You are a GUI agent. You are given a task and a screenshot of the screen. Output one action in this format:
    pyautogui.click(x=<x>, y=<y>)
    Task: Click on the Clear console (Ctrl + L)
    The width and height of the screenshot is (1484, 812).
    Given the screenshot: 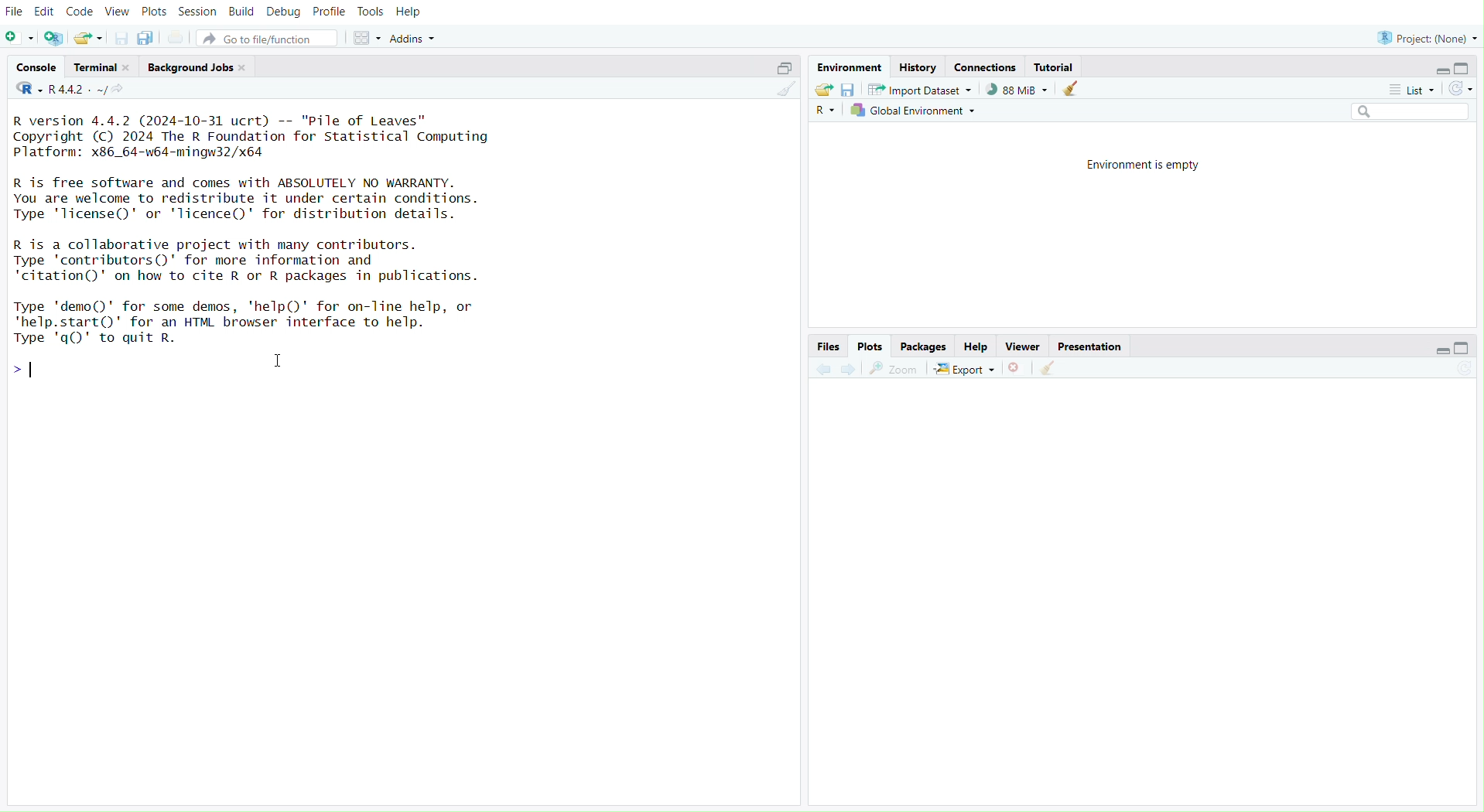 What is the action you would take?
    pyautogui.click(x=783, y=90)
    